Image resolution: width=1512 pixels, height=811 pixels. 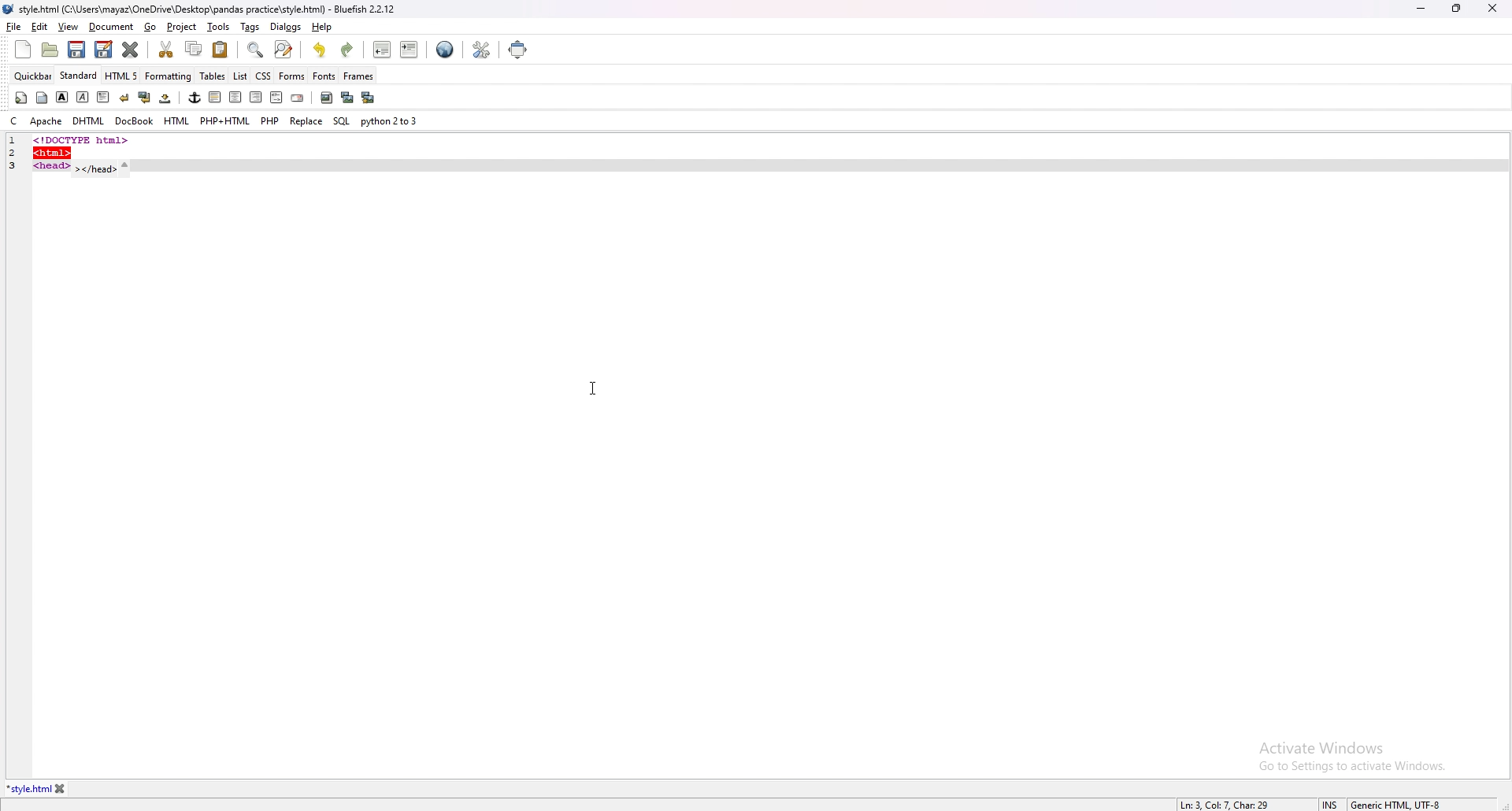 What do you see at coordinates (46, 121) in the screenshot?
I see `apache` at bounding box center [46, 121].